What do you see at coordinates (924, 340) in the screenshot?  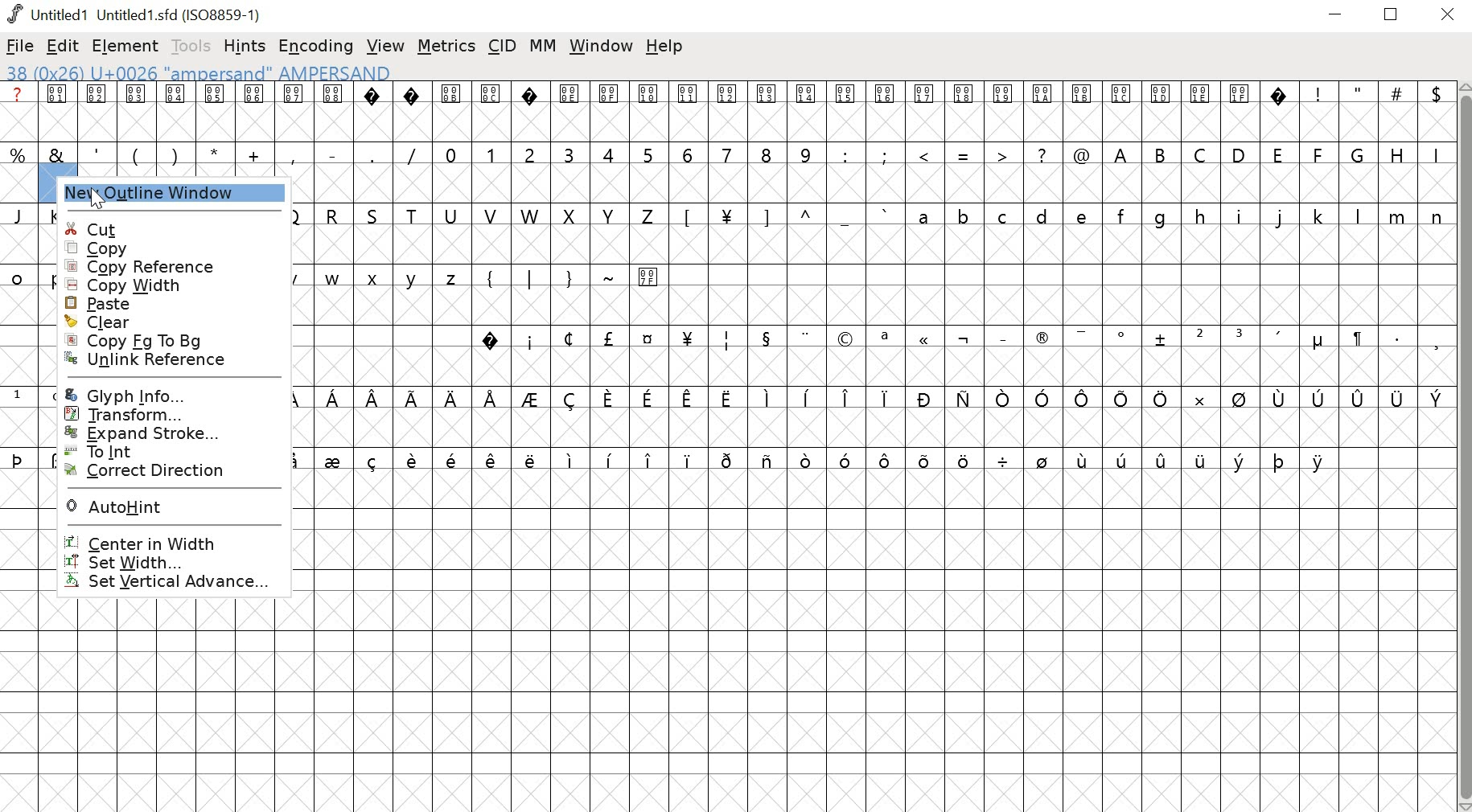 I see `symbol` at bounding box center [924, 340].